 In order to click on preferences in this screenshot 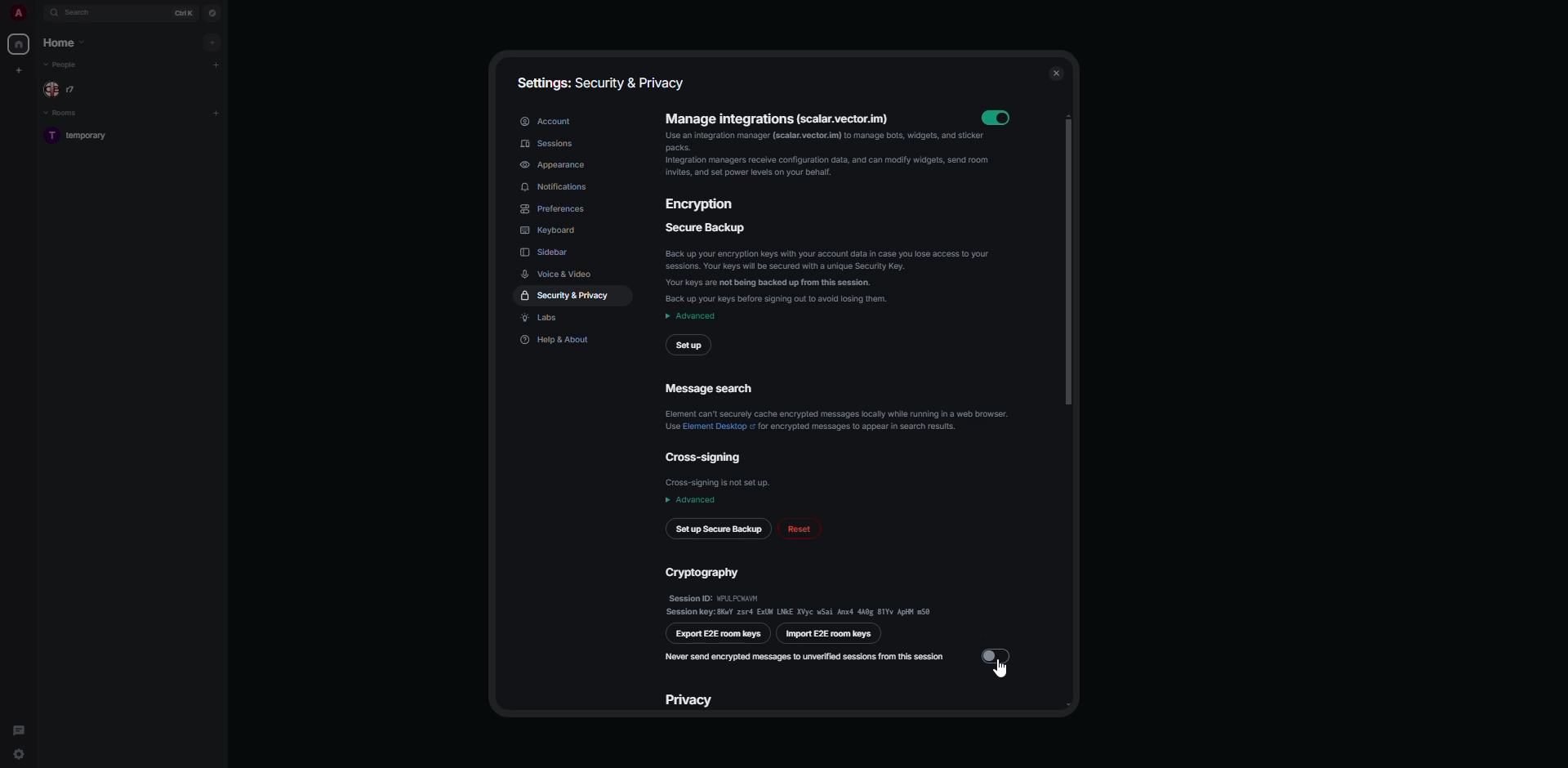, I will do `click(555, 208)`.